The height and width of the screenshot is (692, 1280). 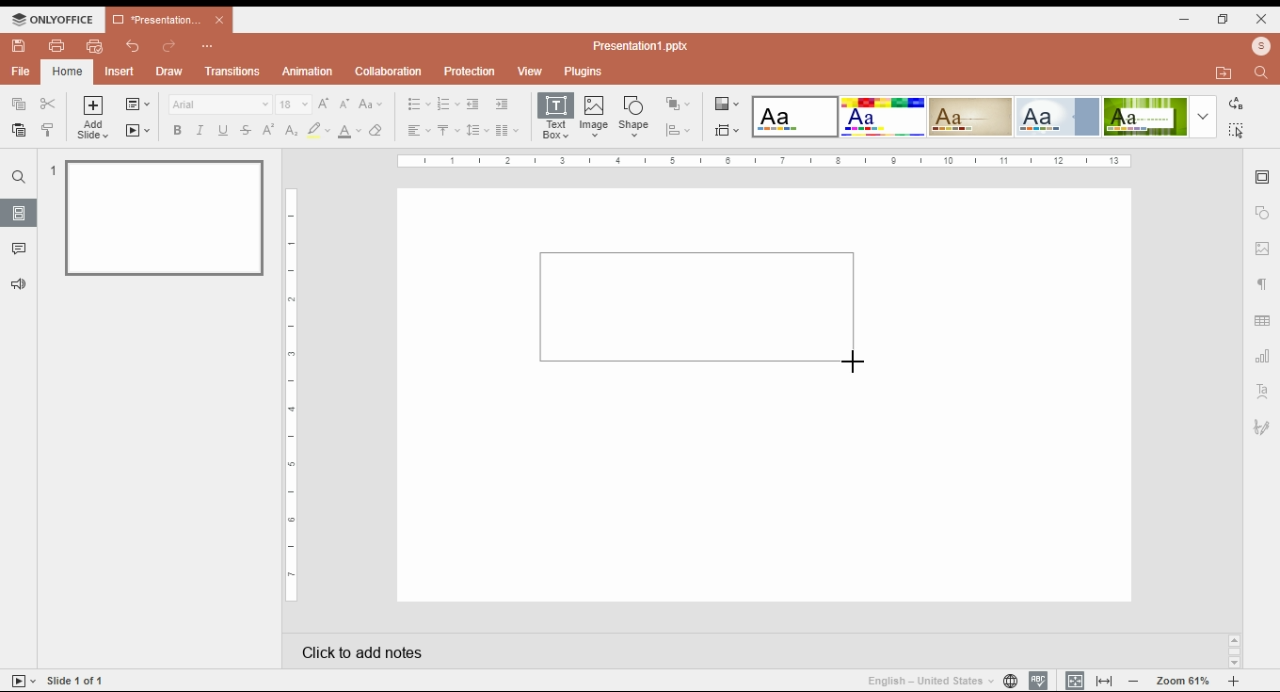 What do you see at coordinates (1264, 427) in the screenshot?
I see `signature settings` at bounding box center [1264, 427].